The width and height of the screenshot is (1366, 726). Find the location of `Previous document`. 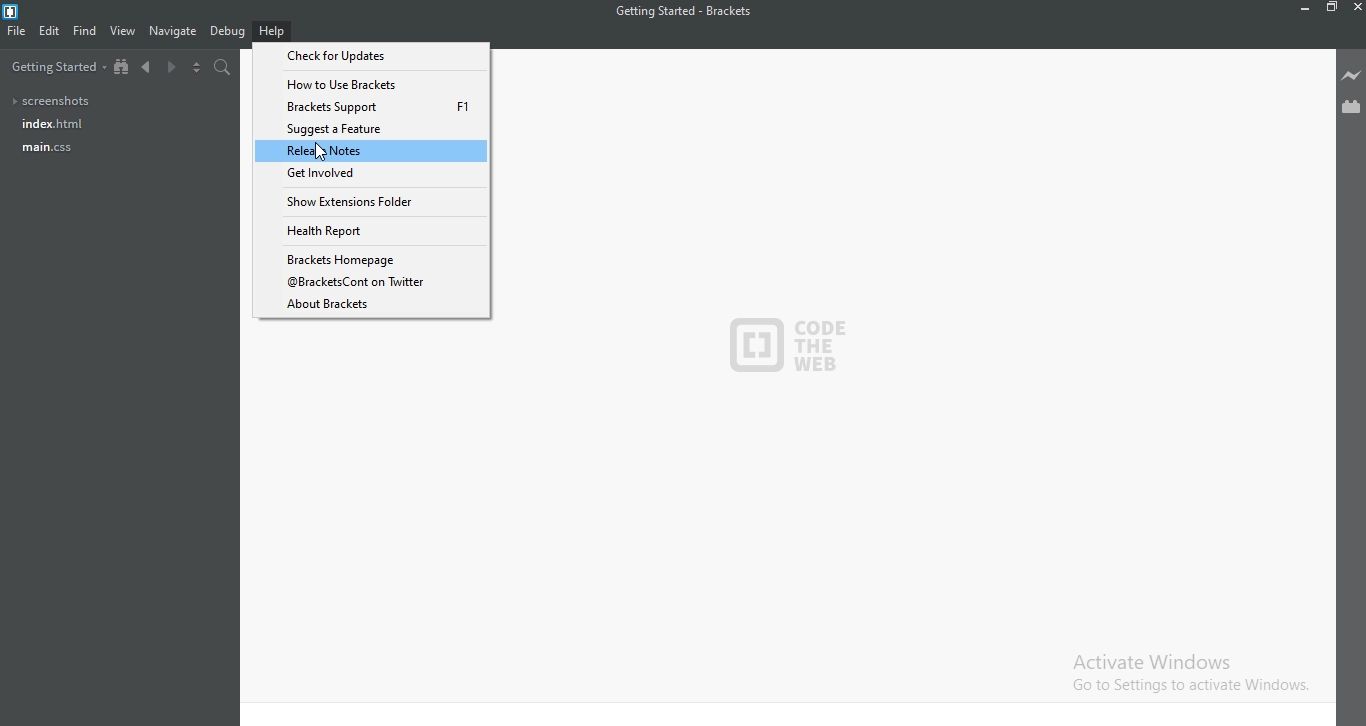

Previous document is located at coordinates (146, 67).